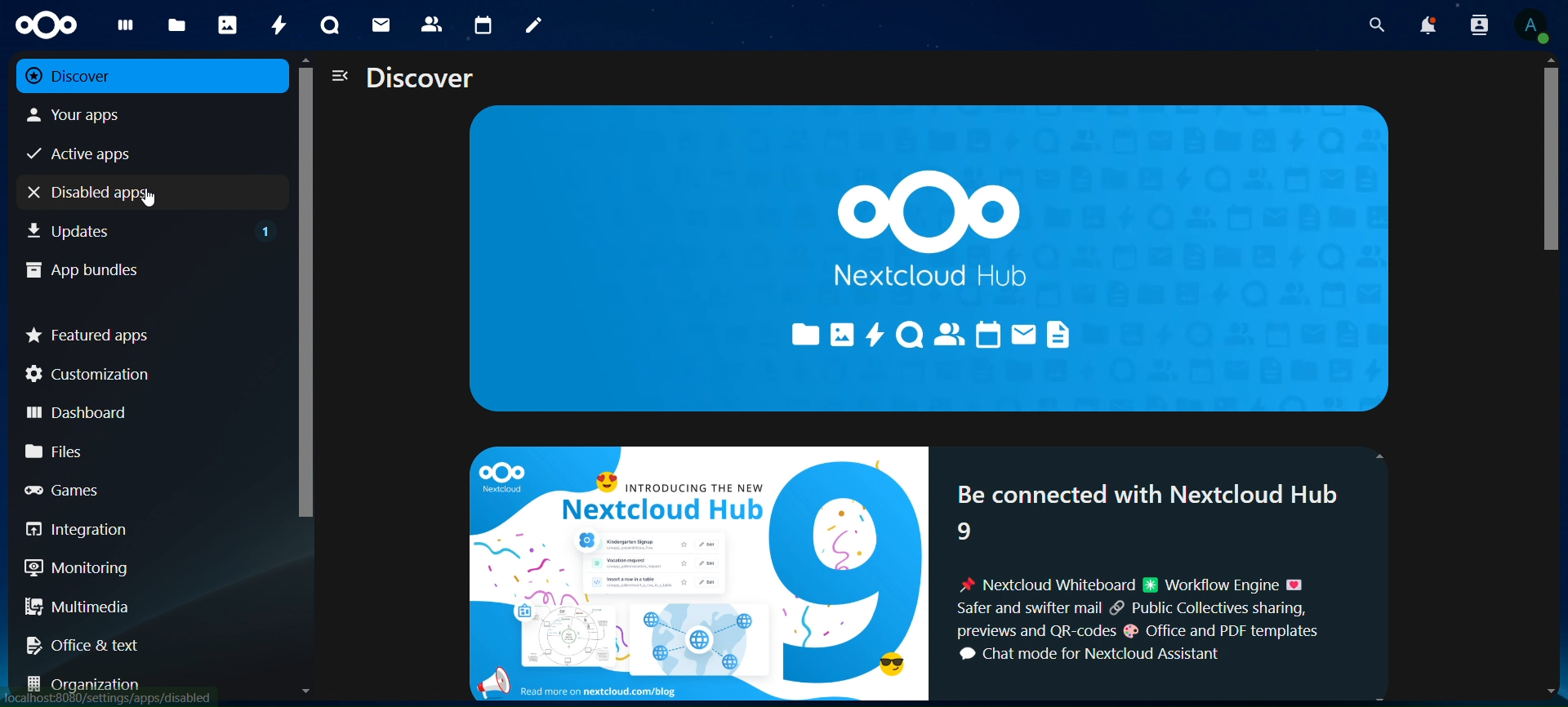  I want to click on dashboard, so click(139, 410).